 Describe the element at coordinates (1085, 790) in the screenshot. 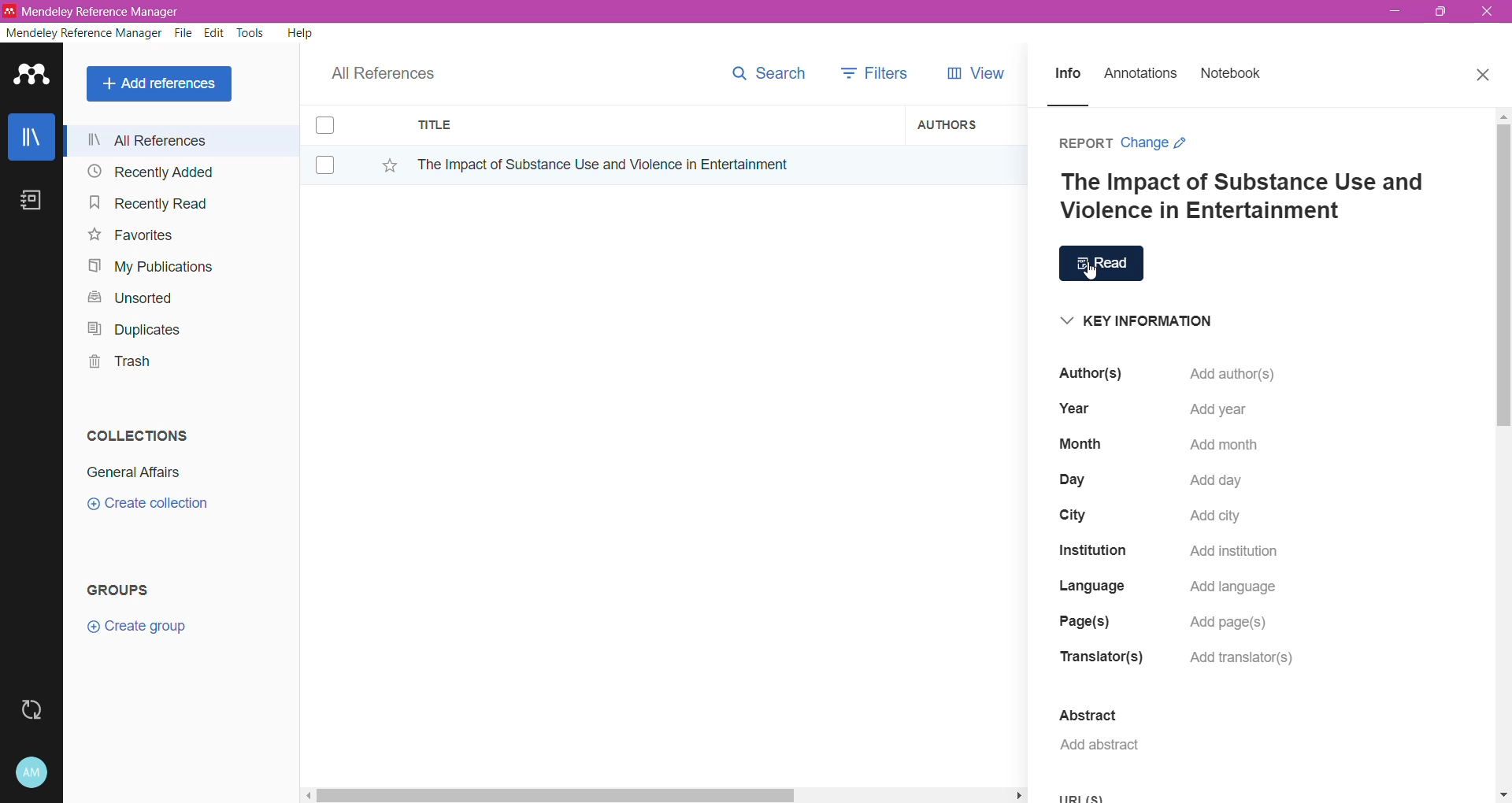

I see `URL(S)` at that location.